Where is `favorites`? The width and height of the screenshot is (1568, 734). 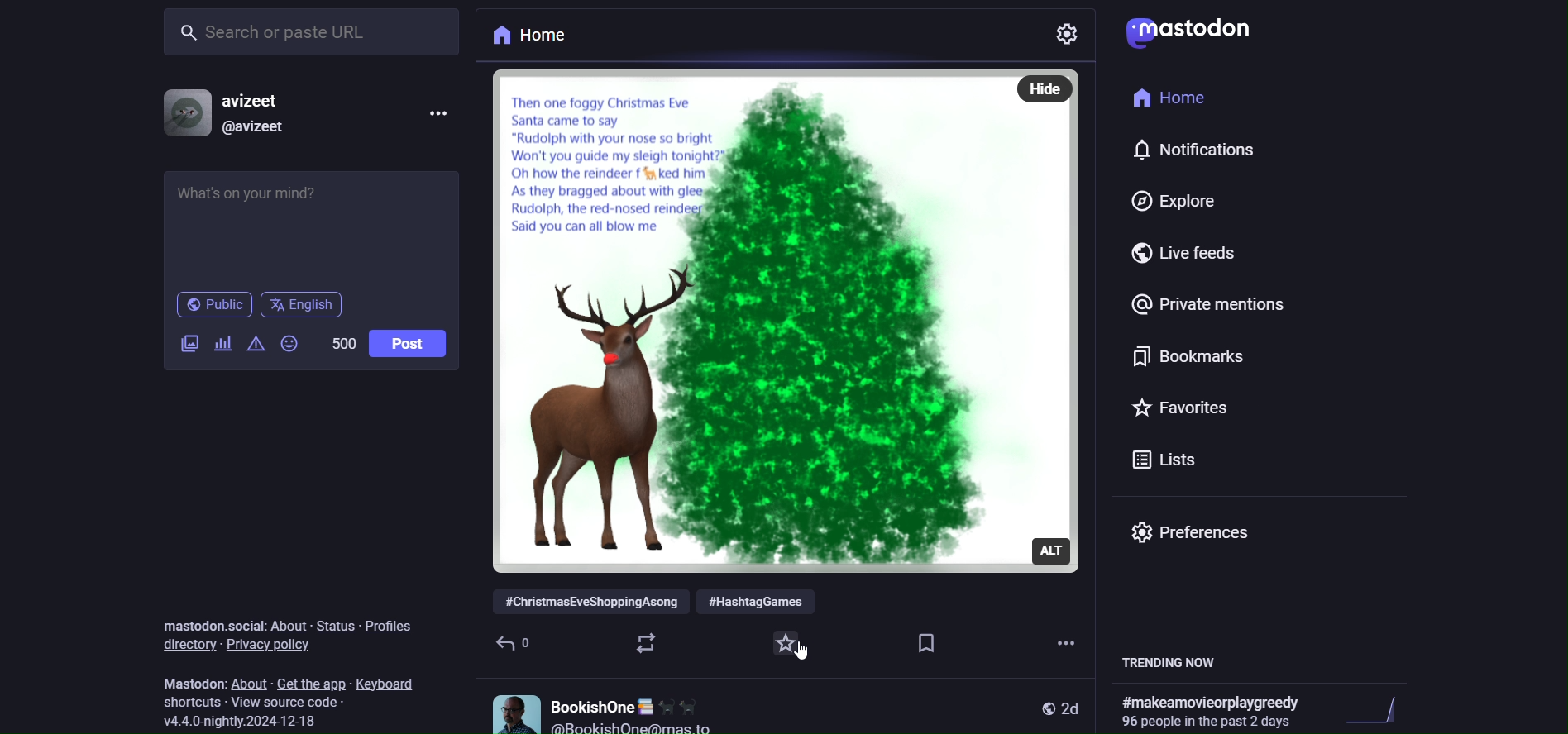 favorites is located at coordinates (1185, 405).